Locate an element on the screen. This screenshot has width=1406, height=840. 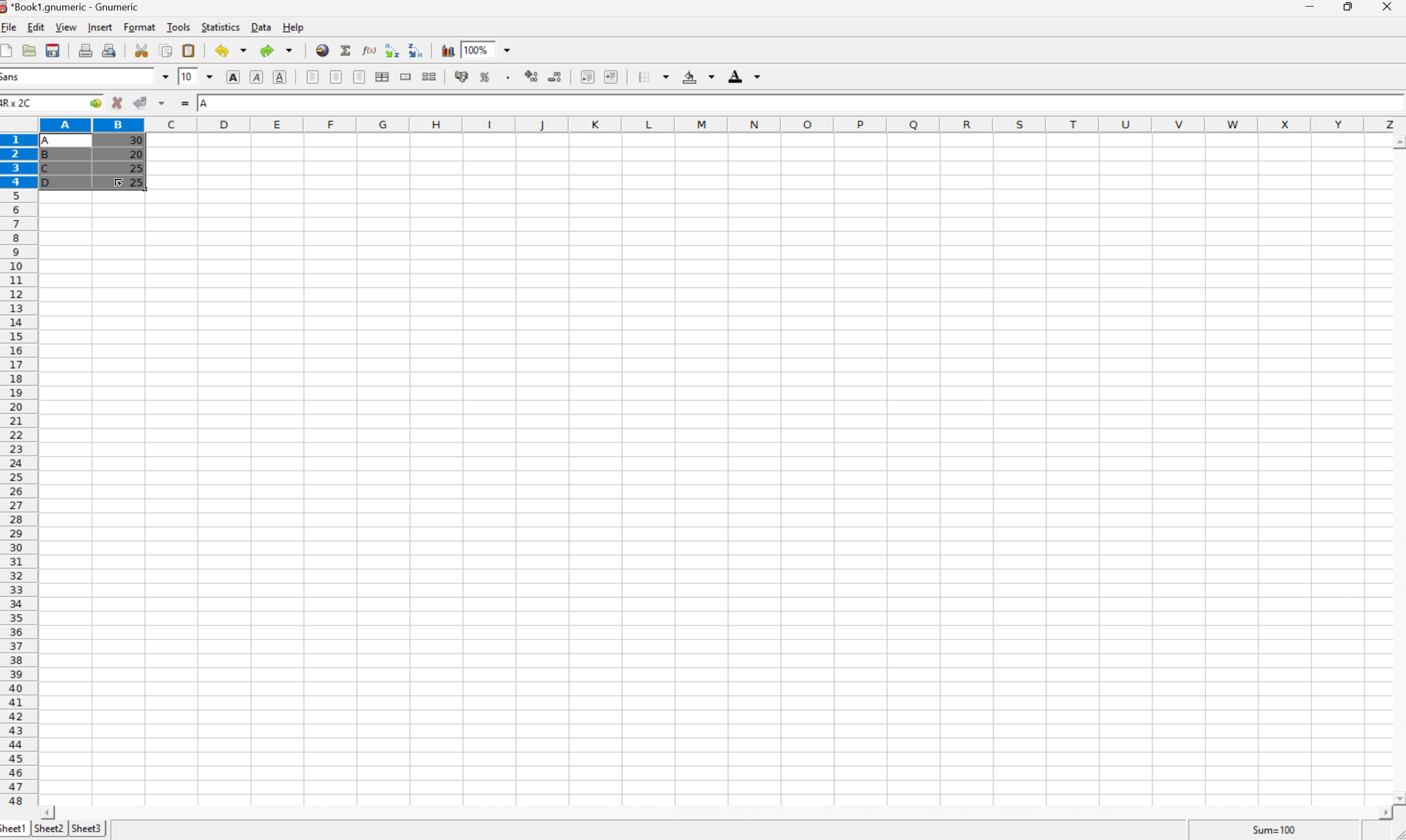
Sum into current cell is located at coordinates (347, 49).